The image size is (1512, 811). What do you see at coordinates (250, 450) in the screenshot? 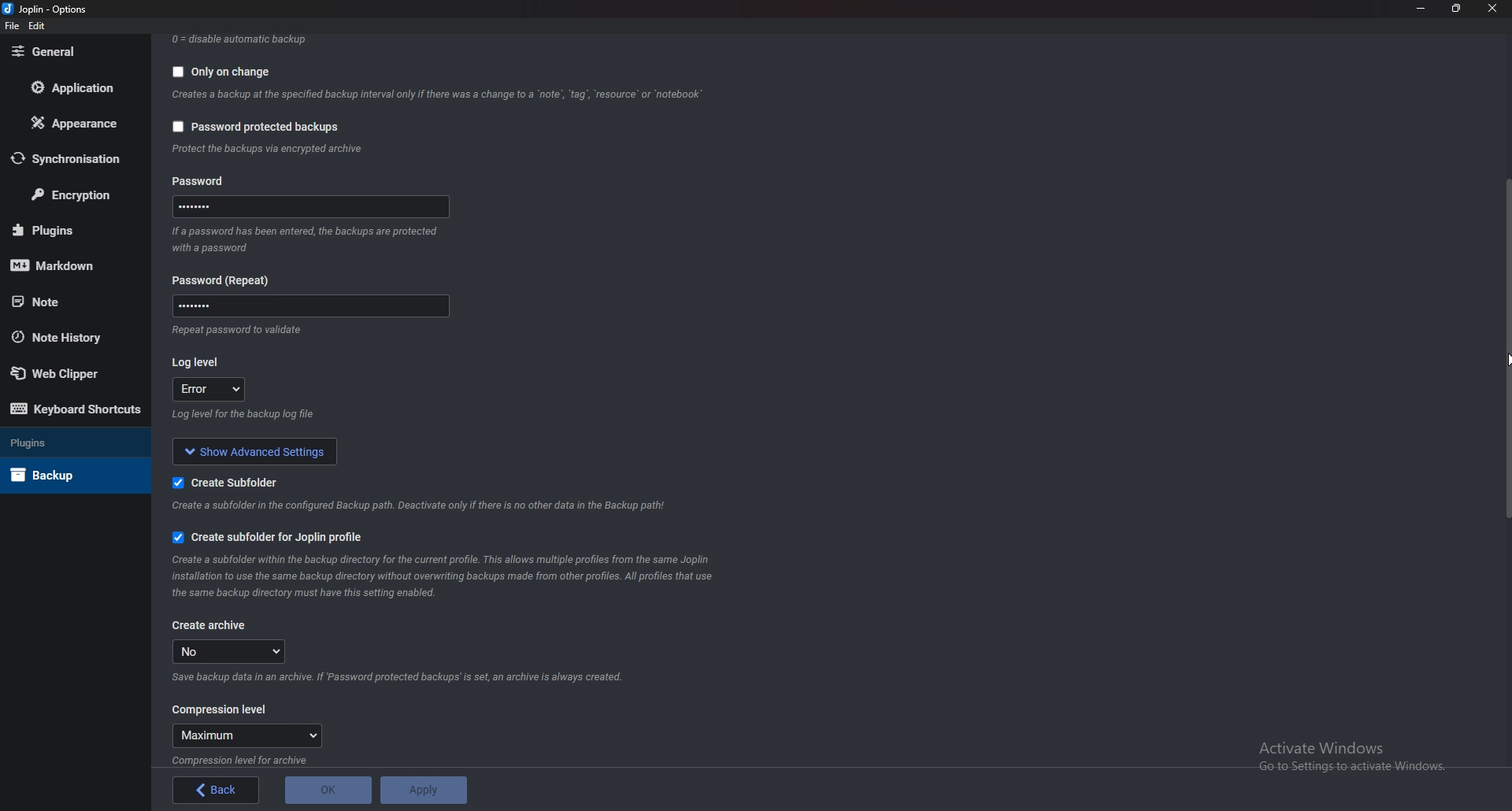
I see `show advanced settings` at bounding box center [250, 450].